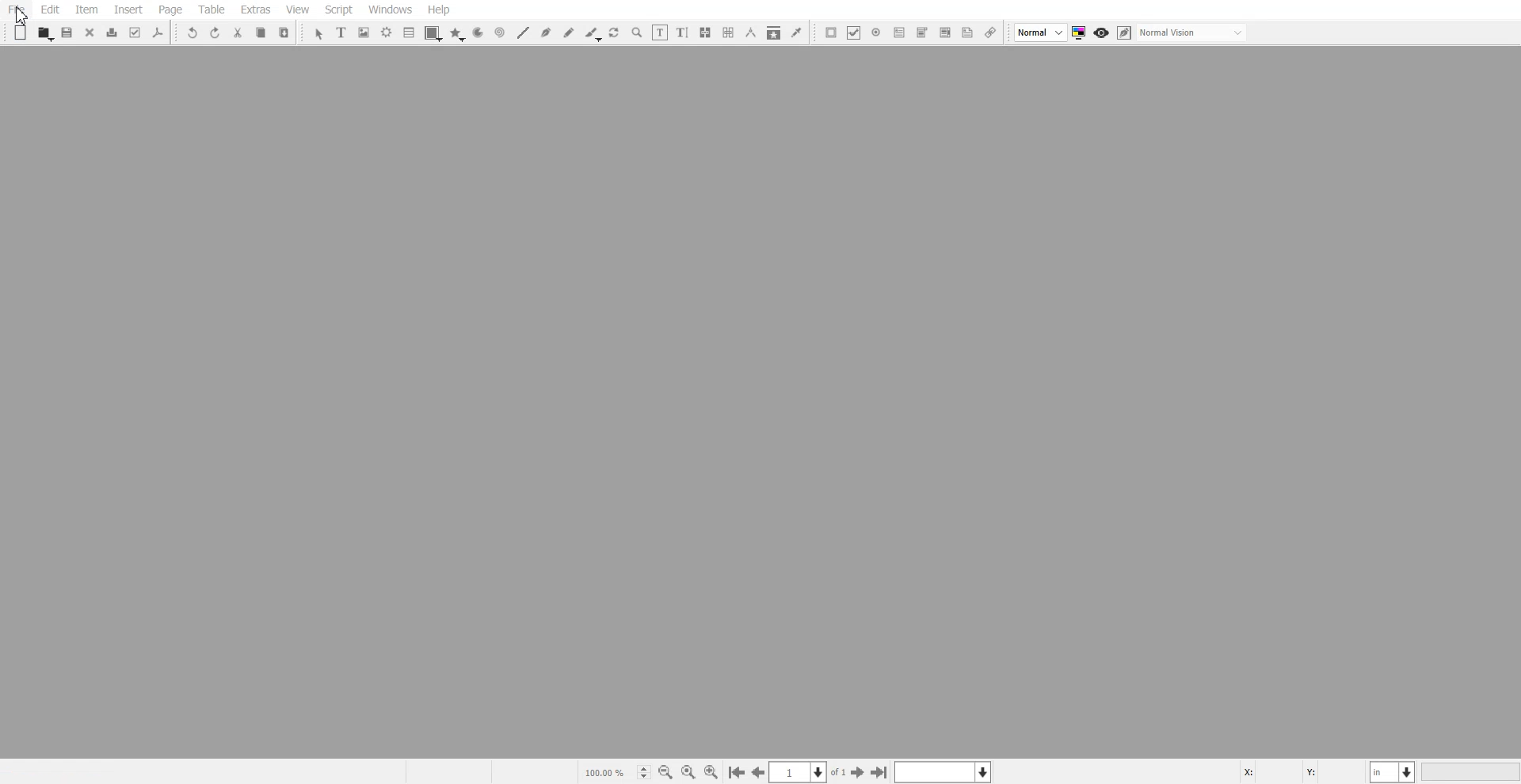 Image resolution: width=1521 pixels, height=784 pixels. Describe the element at coordinates (136, 32) in the screenshot. I see `Preflight Verifier` at that location.